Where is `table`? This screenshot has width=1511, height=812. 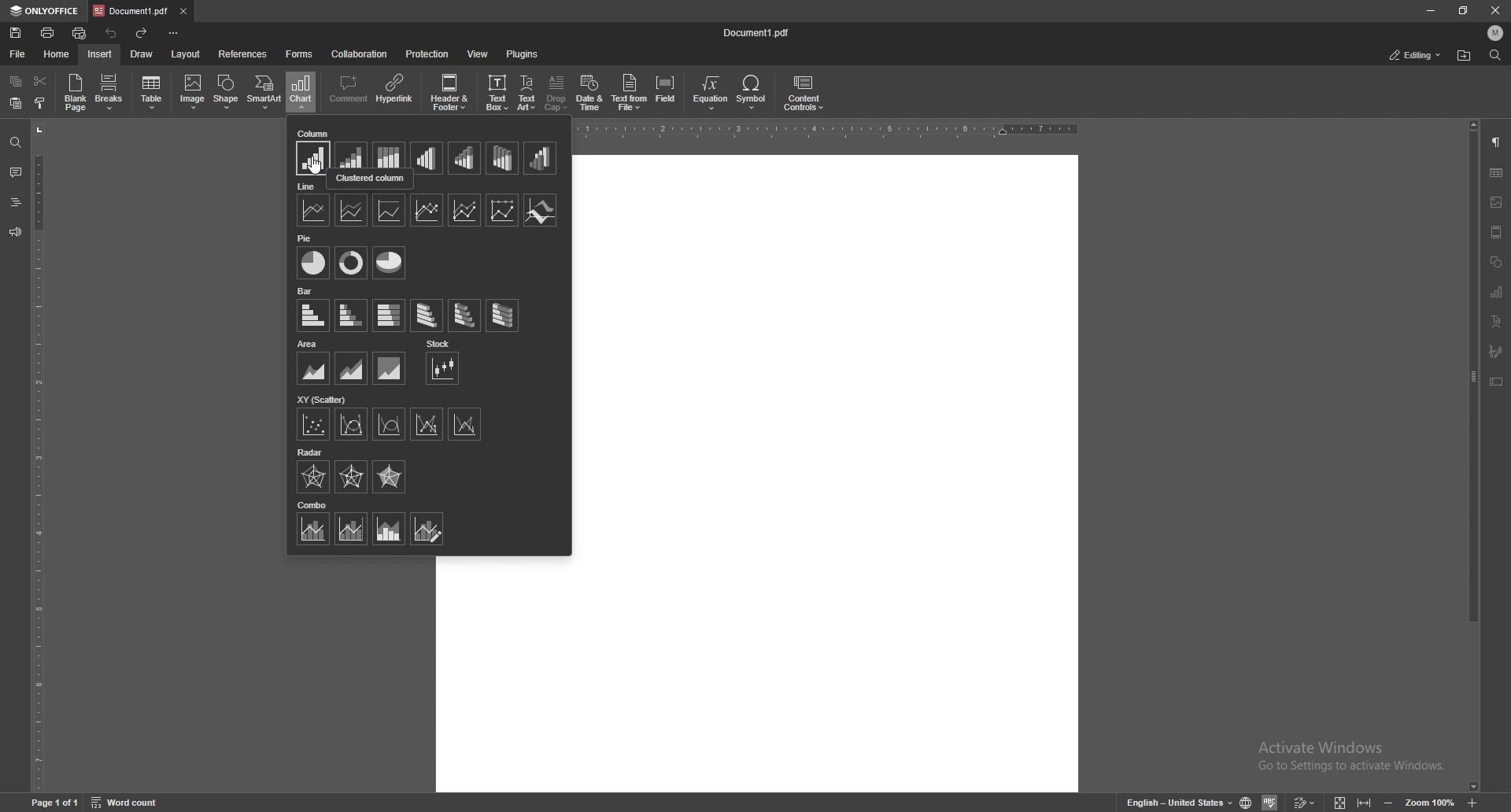 table is located at coordinates (151, 93).